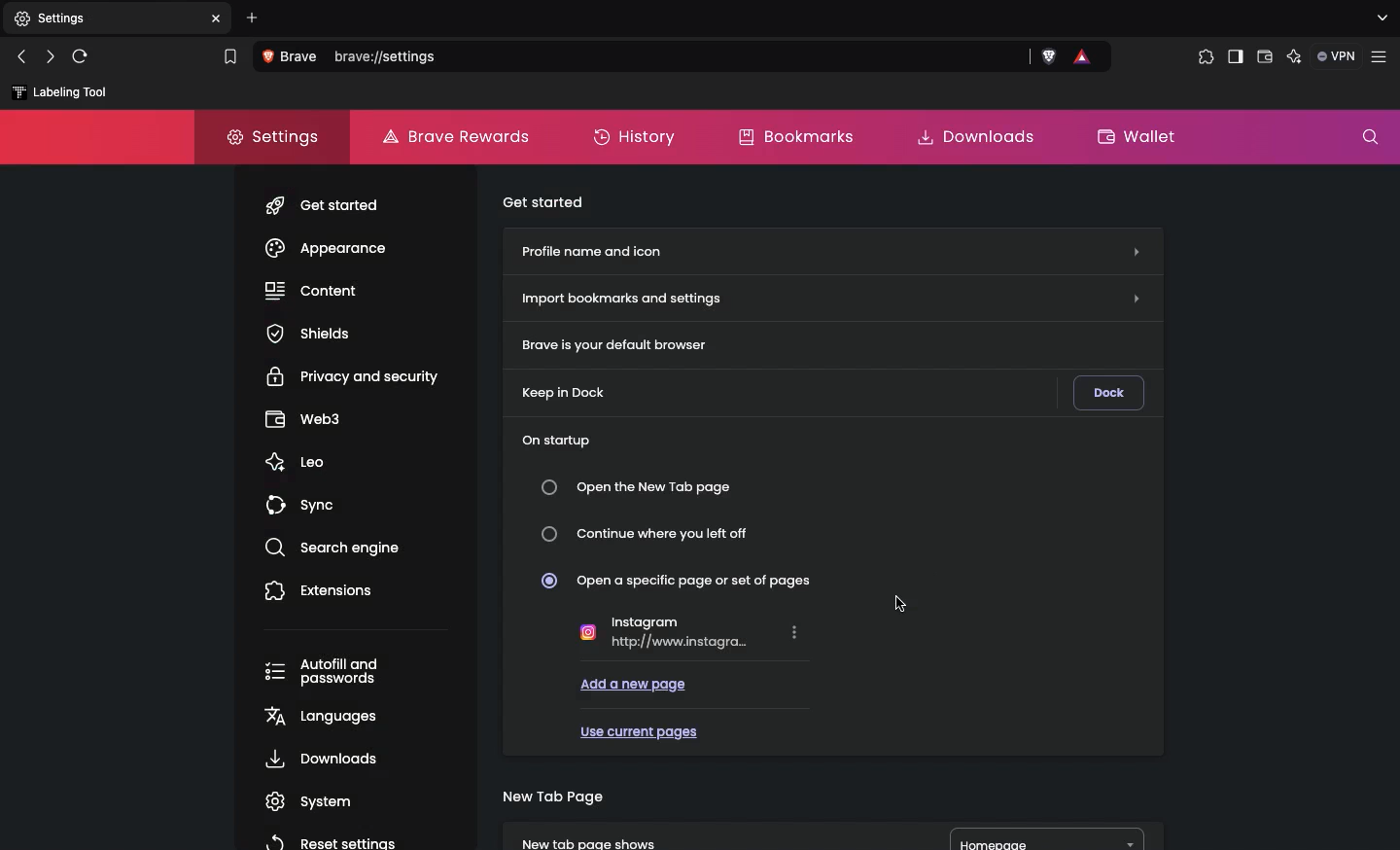 This screenshot has width=1400, height=850. What do you see at coordinates (326, 201) in the screenshot?
I see `Get started` at bounding box center [326, 201].